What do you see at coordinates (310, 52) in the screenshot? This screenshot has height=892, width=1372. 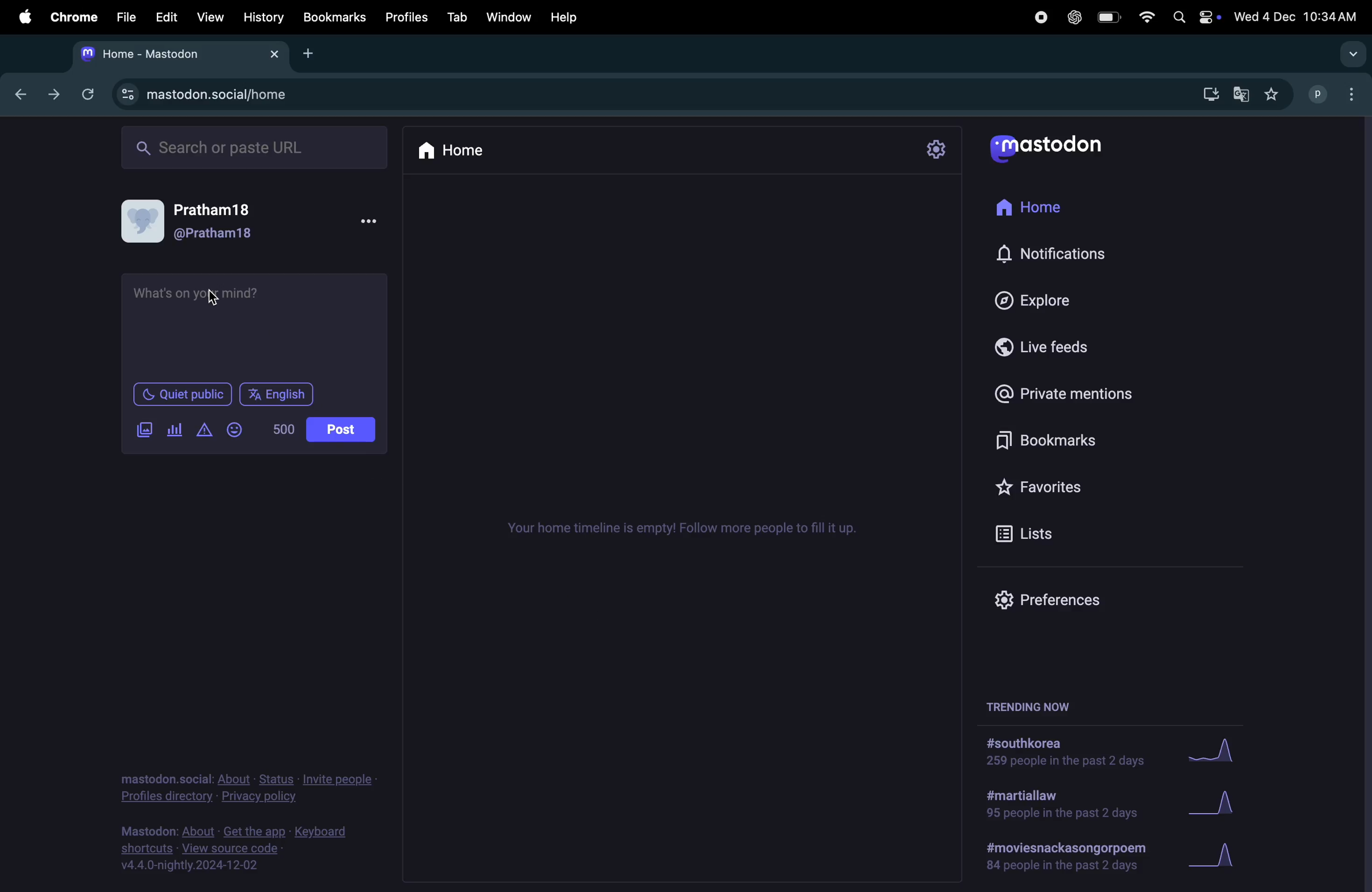 I see `add tab` at bounding box center [310, 52].